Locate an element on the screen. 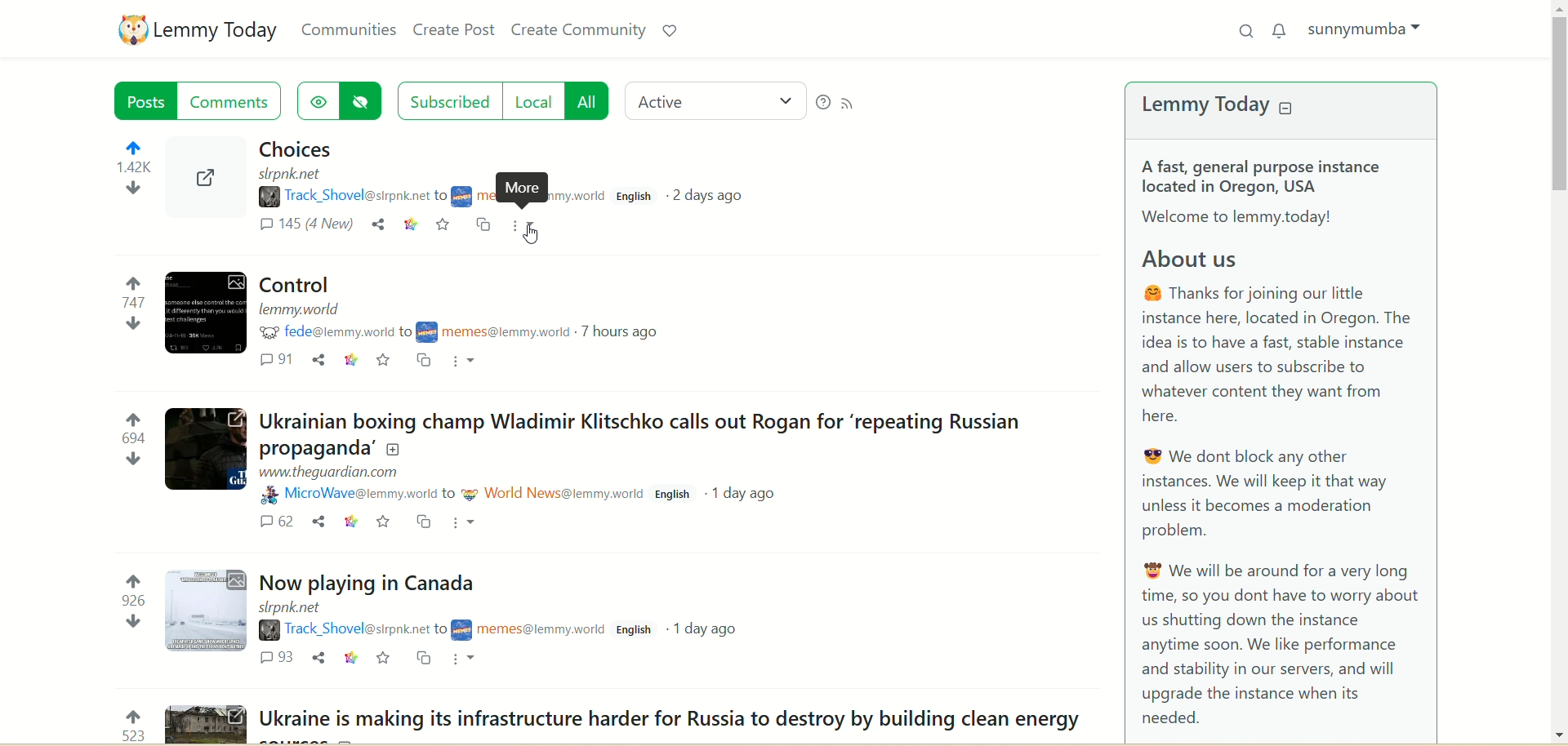 The height and width of the screenshot is (746, 1568). lemmy today is located at coordinates (1233, 108).